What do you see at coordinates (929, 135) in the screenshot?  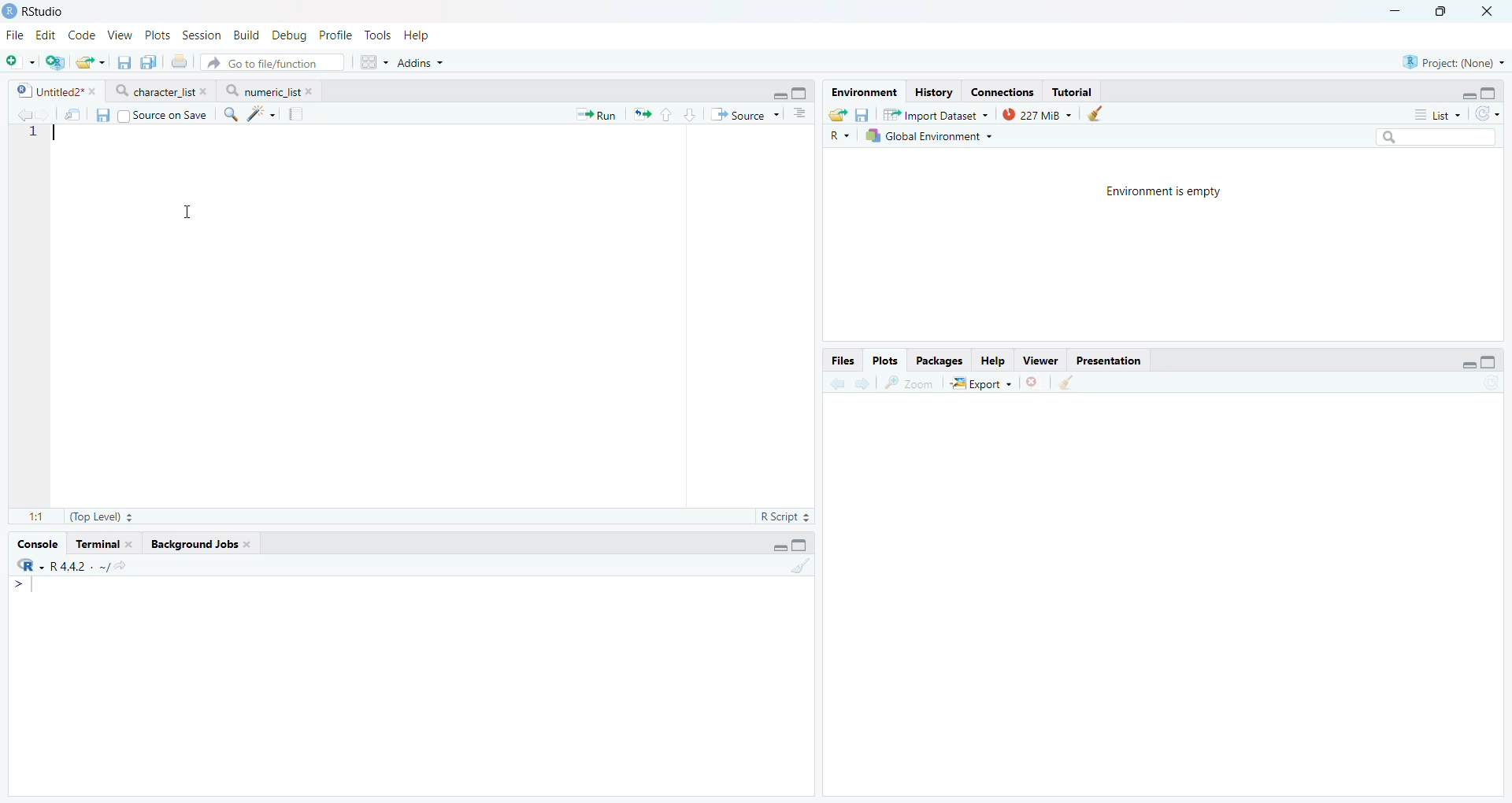 I see `Global Environment` at bounding box center [929, 135].